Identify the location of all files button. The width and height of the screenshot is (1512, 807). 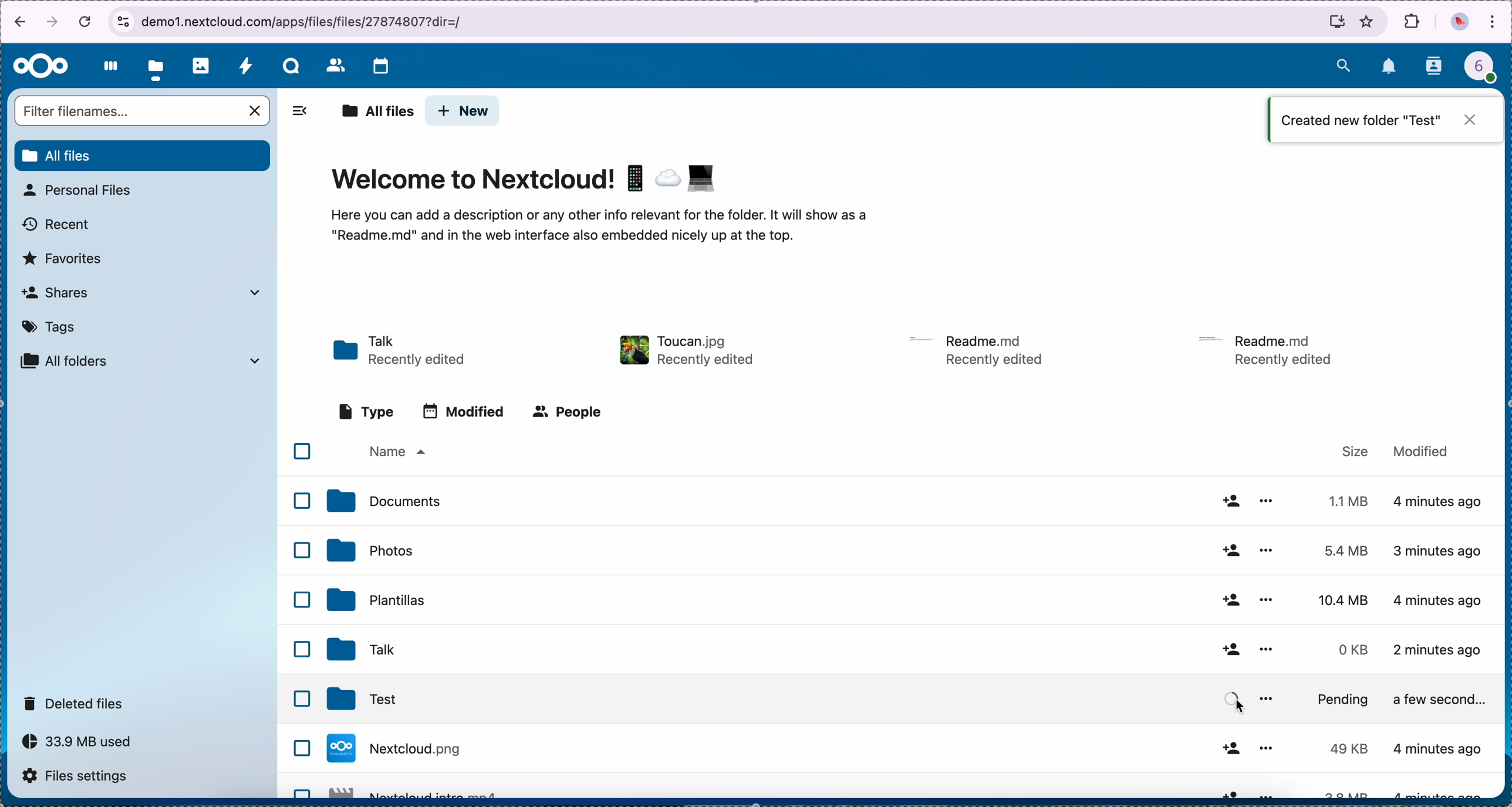
(144, 156).